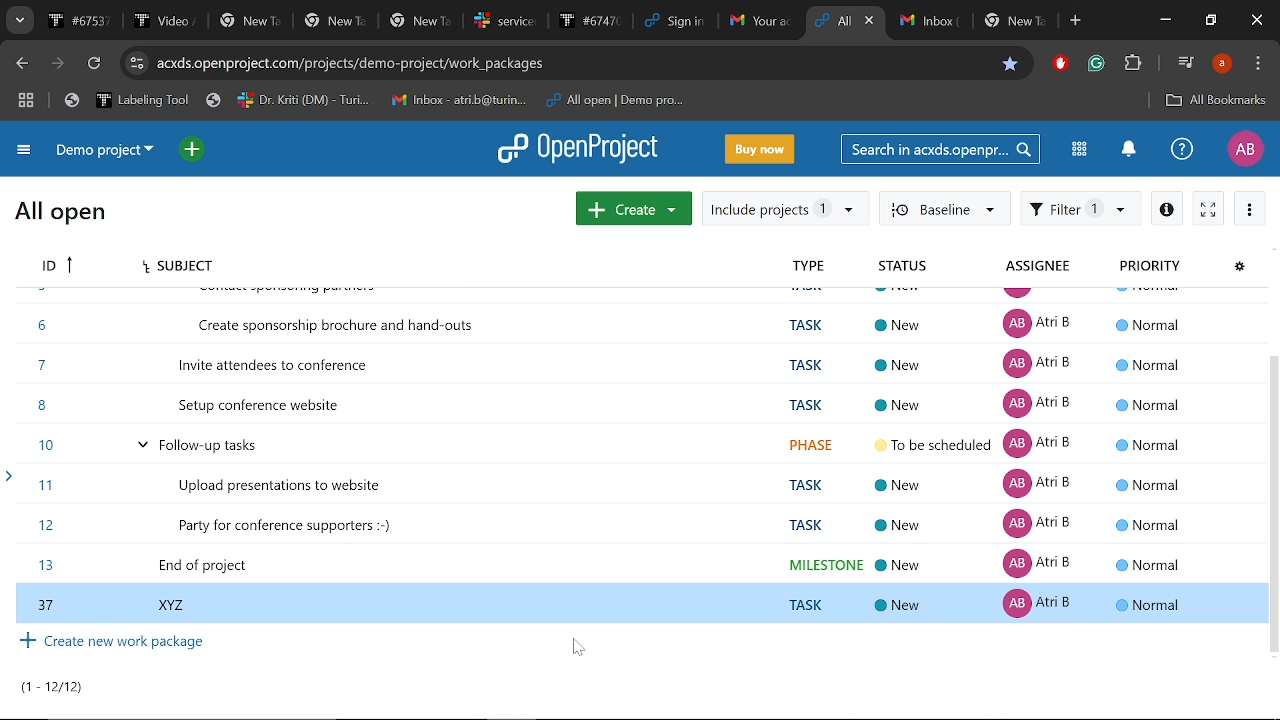 The image size is (1280, 720). Describe the element at coordinates (1252, 208) in the screenshot. I see `More actions` at that location.